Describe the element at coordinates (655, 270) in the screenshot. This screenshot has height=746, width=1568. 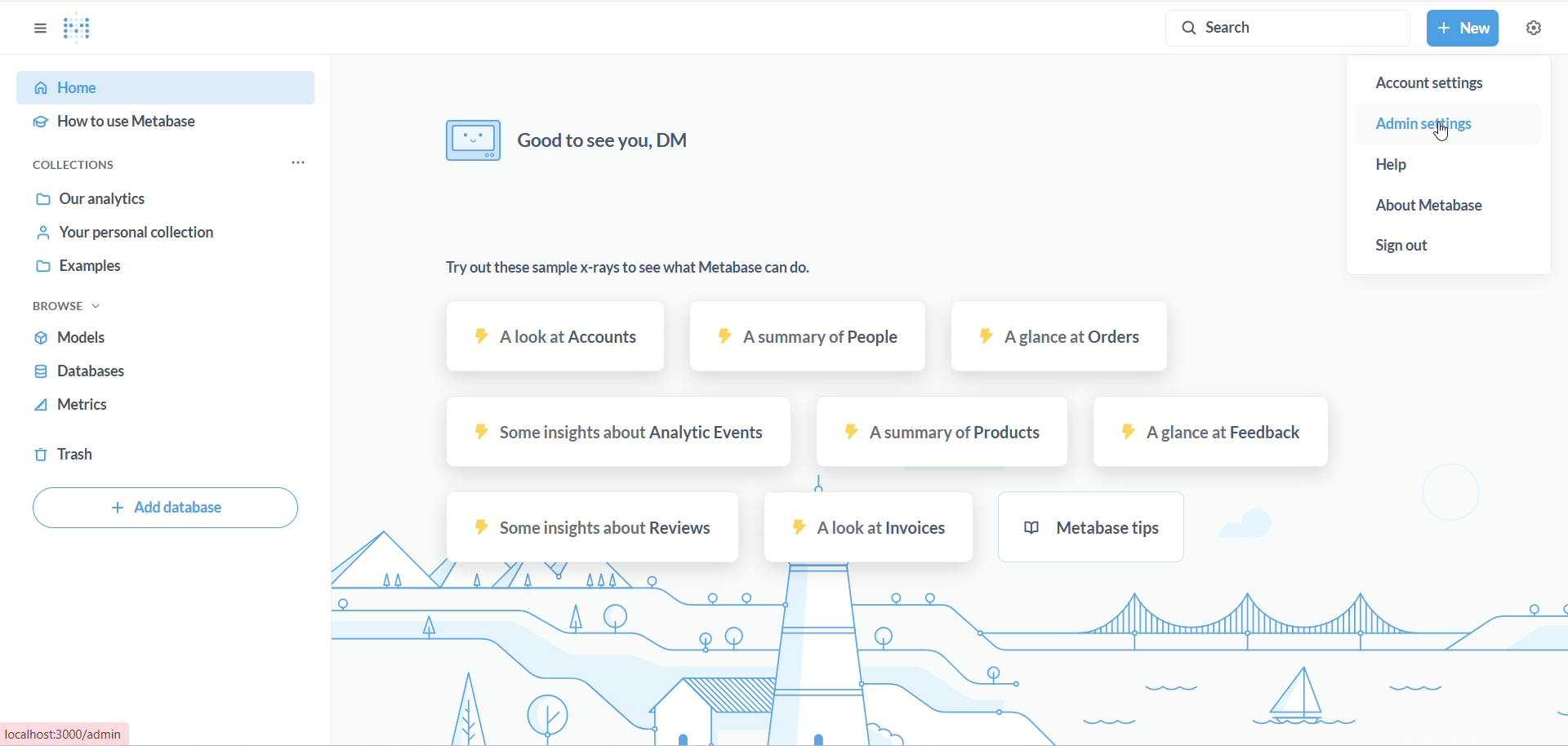
I see `text` at that location.